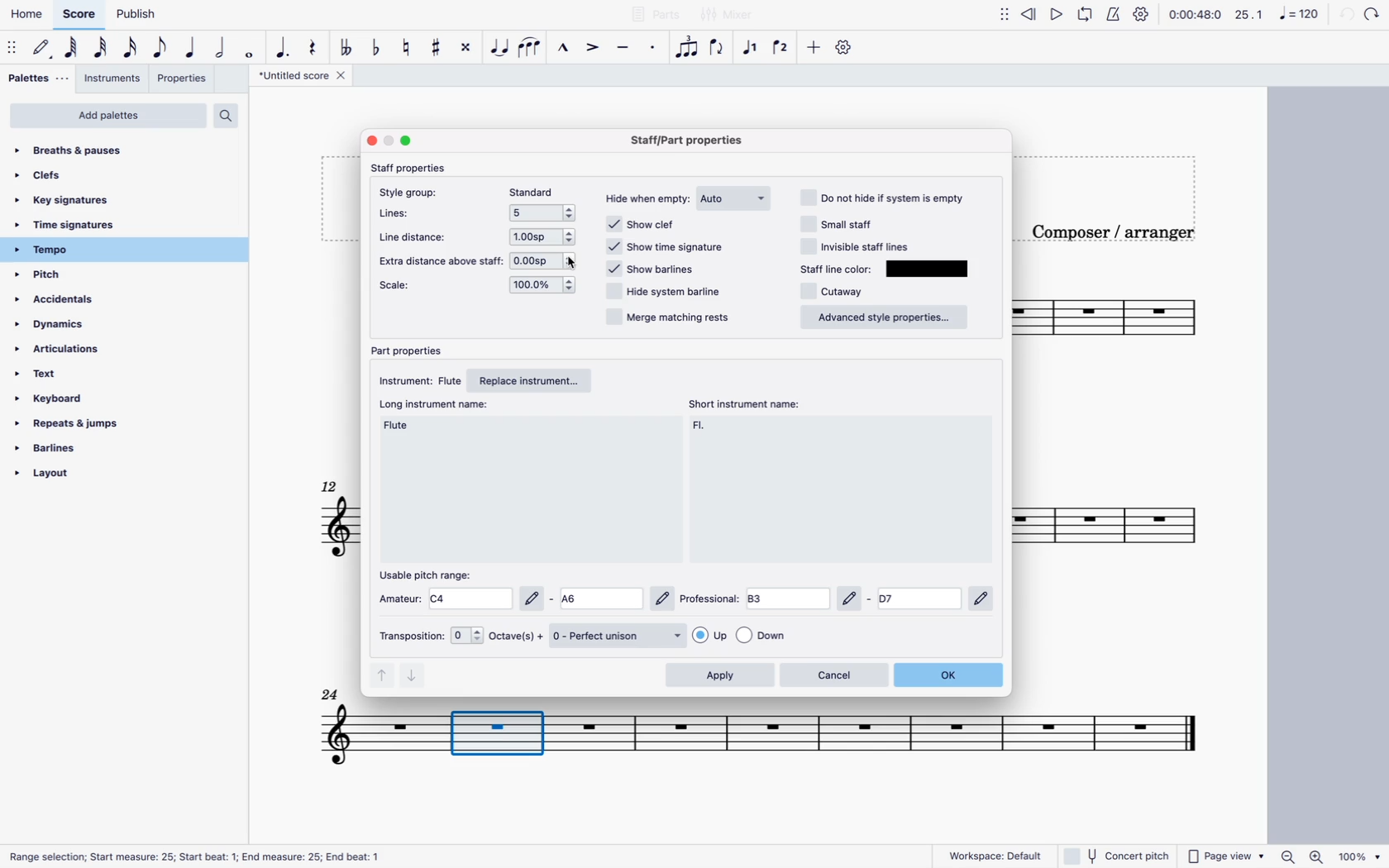  What do you see at coordinates (570, 261) in the screenshot?
I see `cursor` at bounding box center [570, 261].